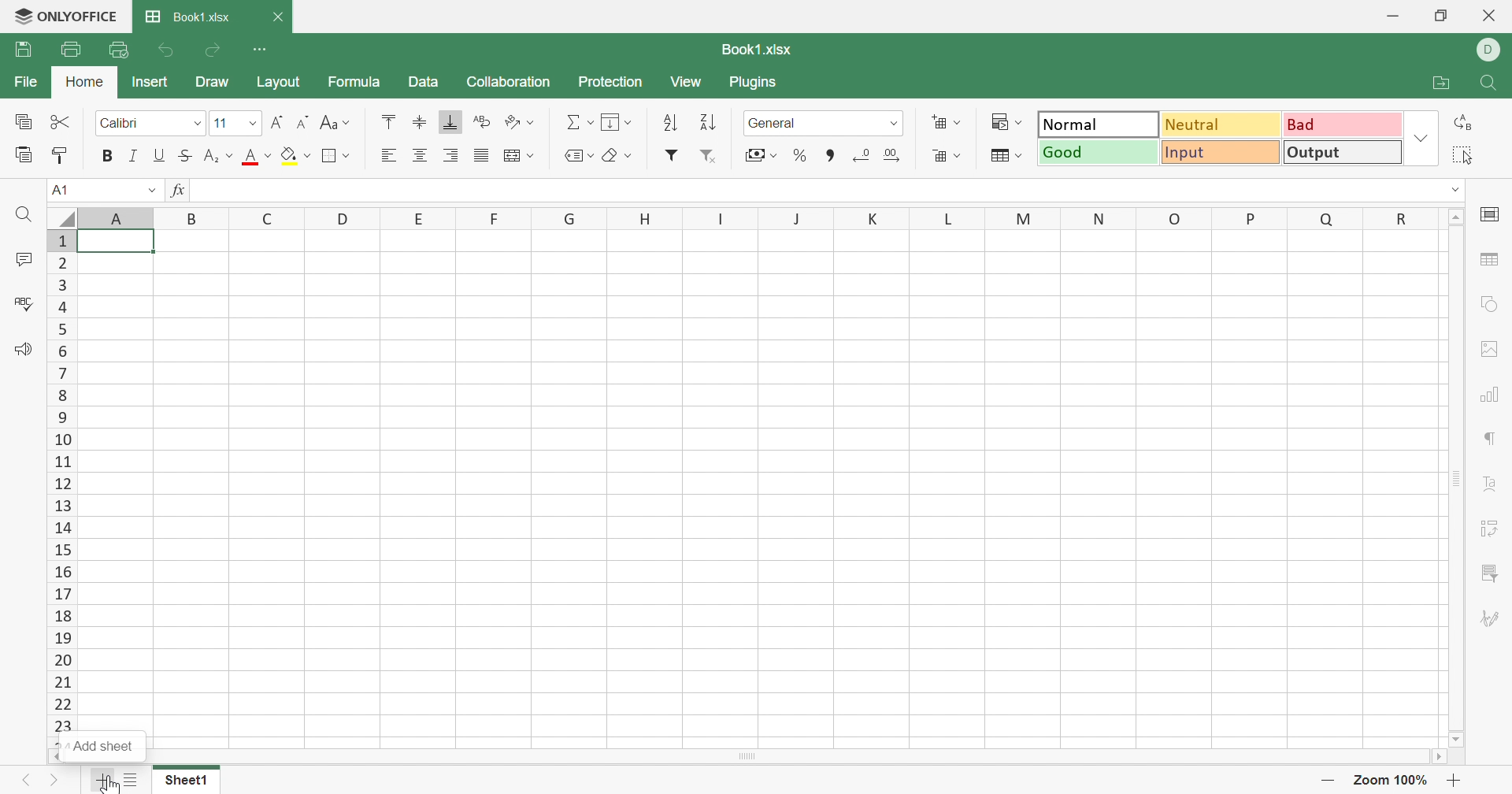  Describe the element at coordinates (67, 17) in the screenshot. I see `ONLYOFFICE` at that location.